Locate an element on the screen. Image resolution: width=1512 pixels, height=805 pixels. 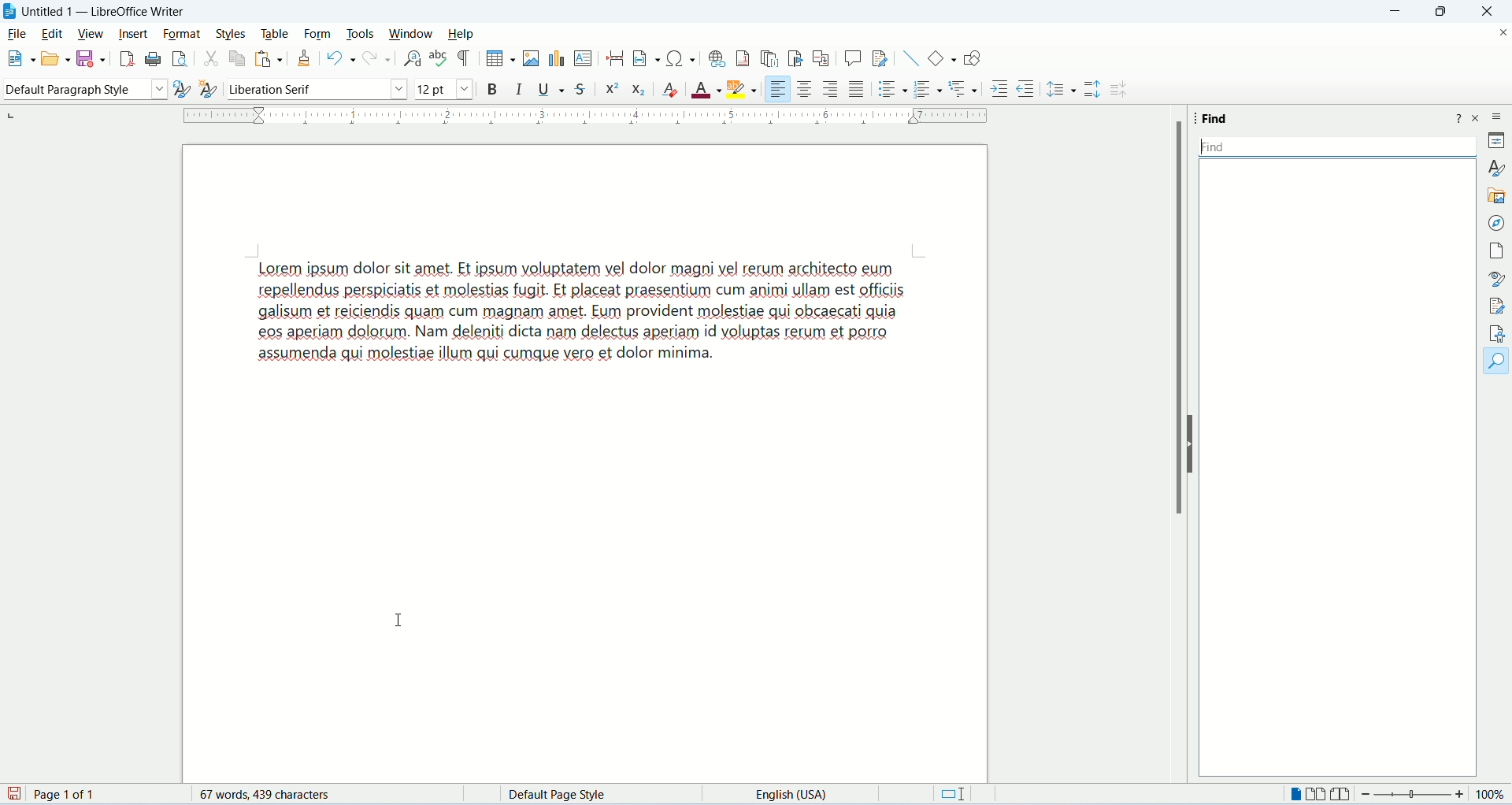
increase paragraph spacing is located at coordinates (1094, 91).